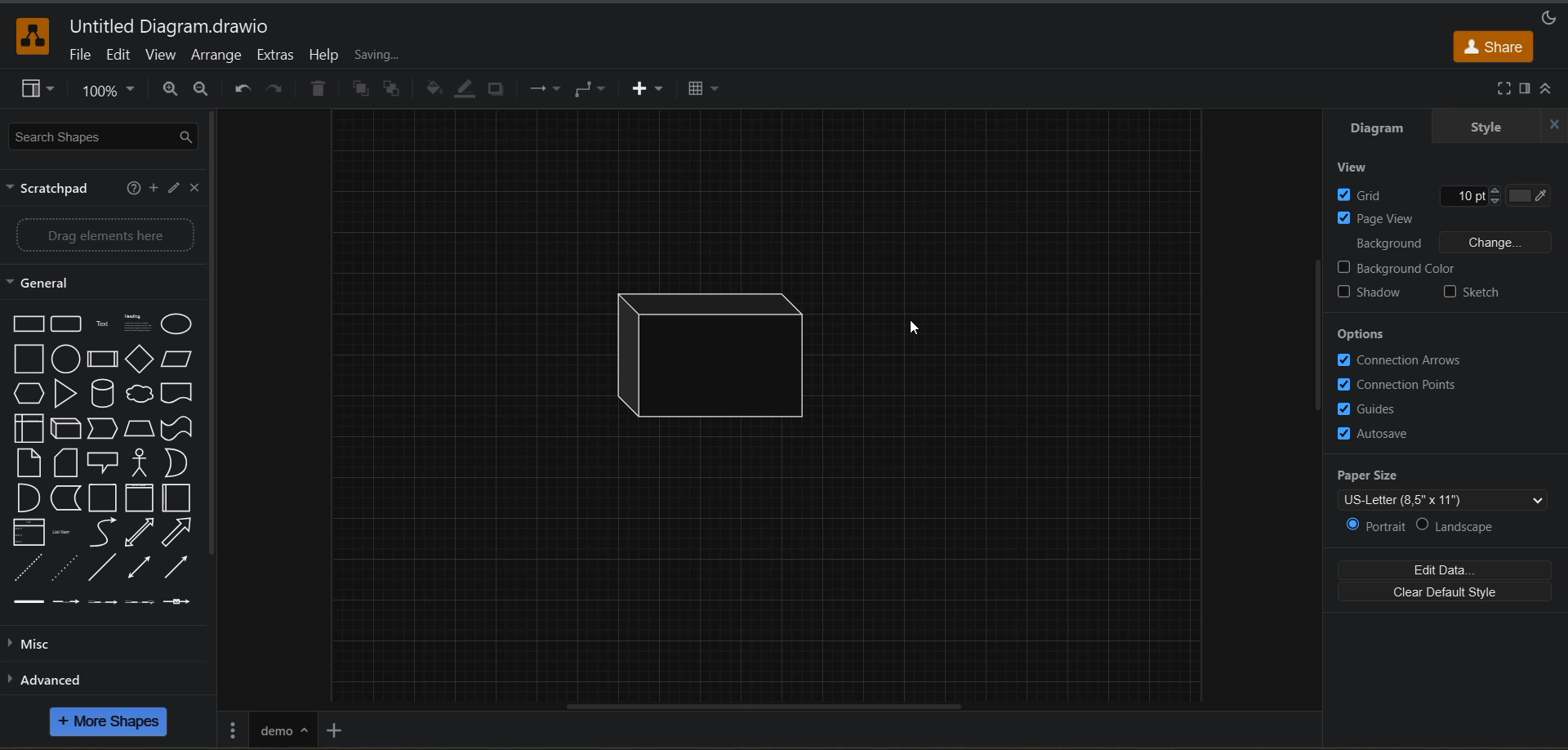 The width and height of the screenshot is (1568, 750). What do you see at coordinates (275, 90) in the screenshot?
I see `redo` at bounding box center [275, 90].